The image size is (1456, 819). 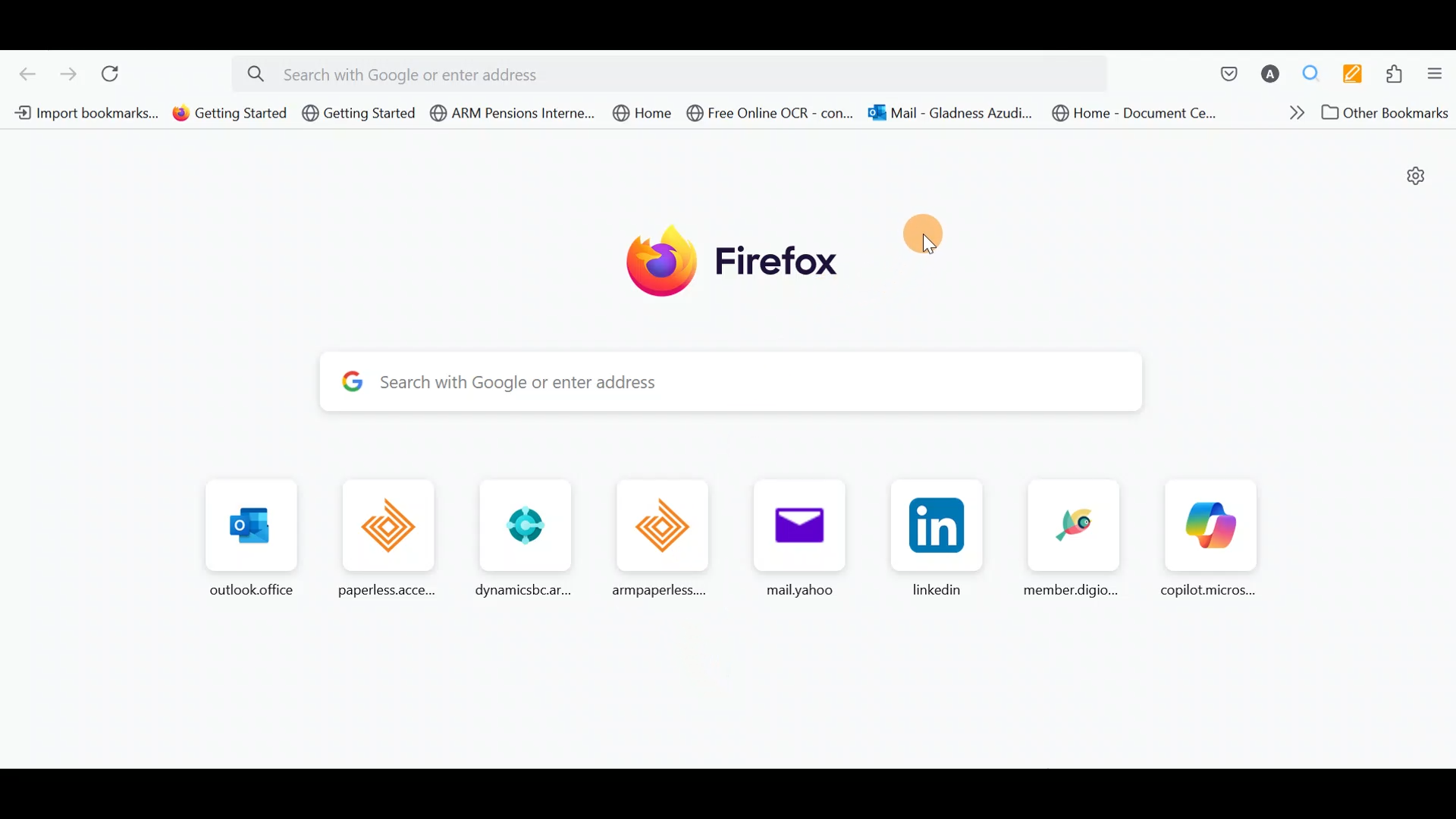 I want to click on cursor, so click(x=930, y=247).